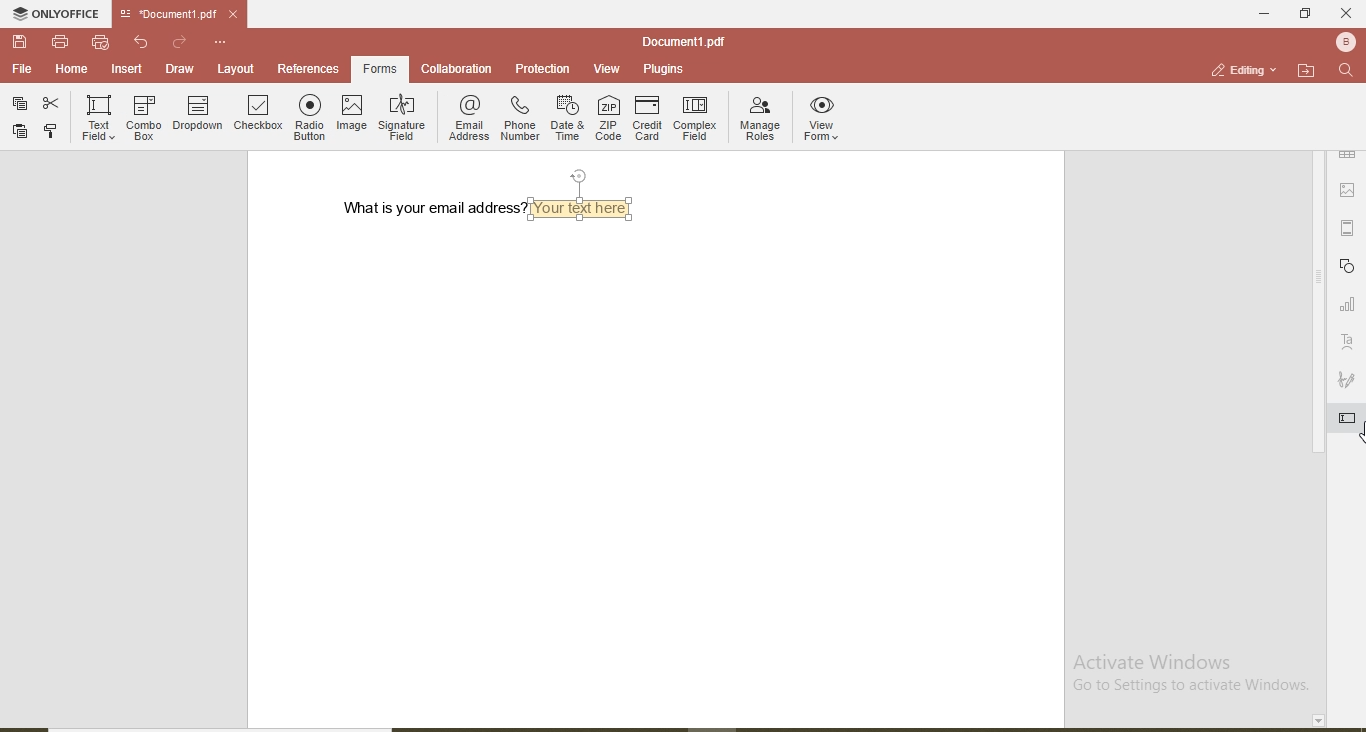  What do you see at coordinates (352, 114) in the screenshot?
I see `image` at bounding box center [352, 114].